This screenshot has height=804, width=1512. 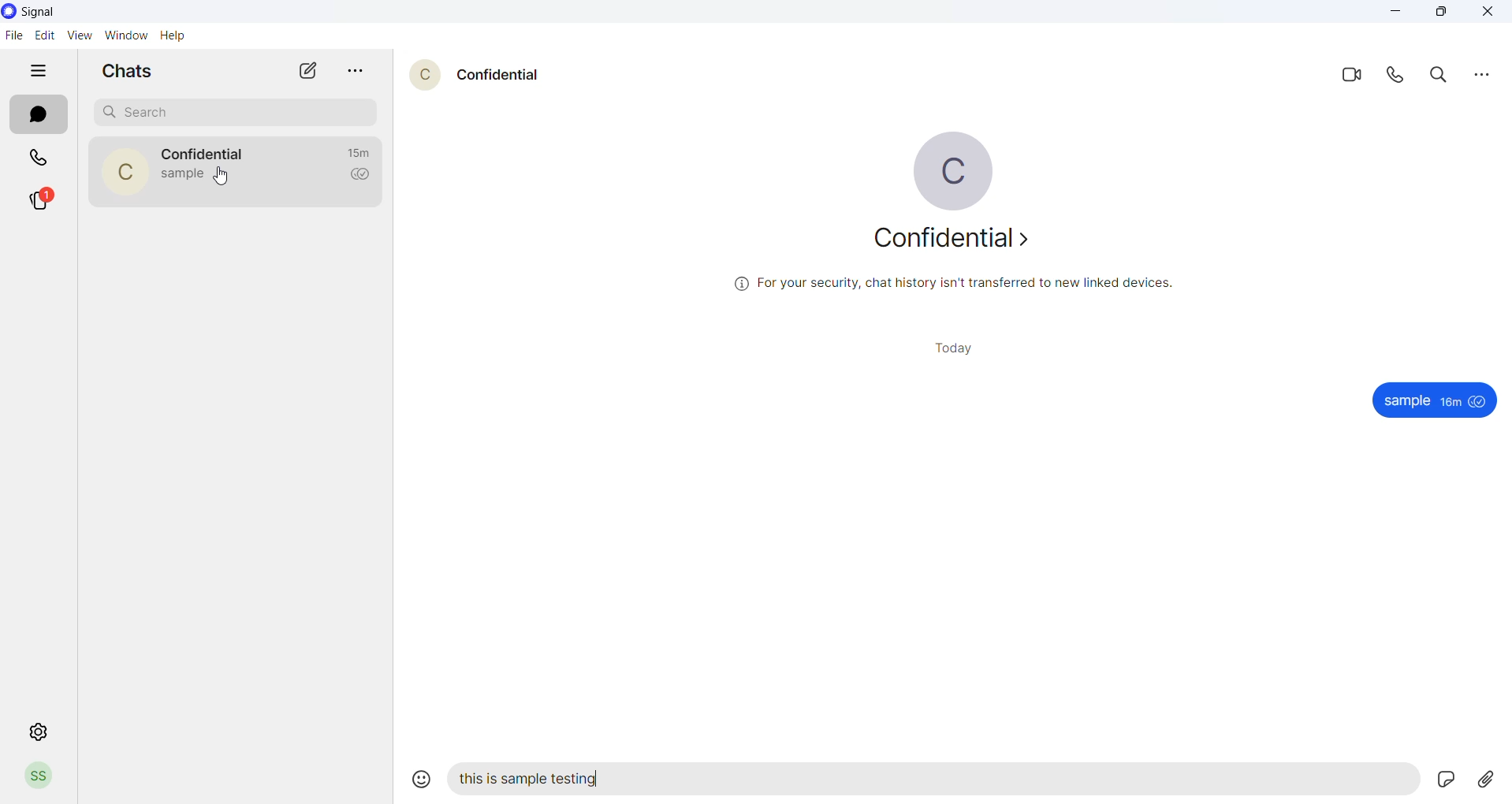 I want to click on call , so click(x=1401, y=76).